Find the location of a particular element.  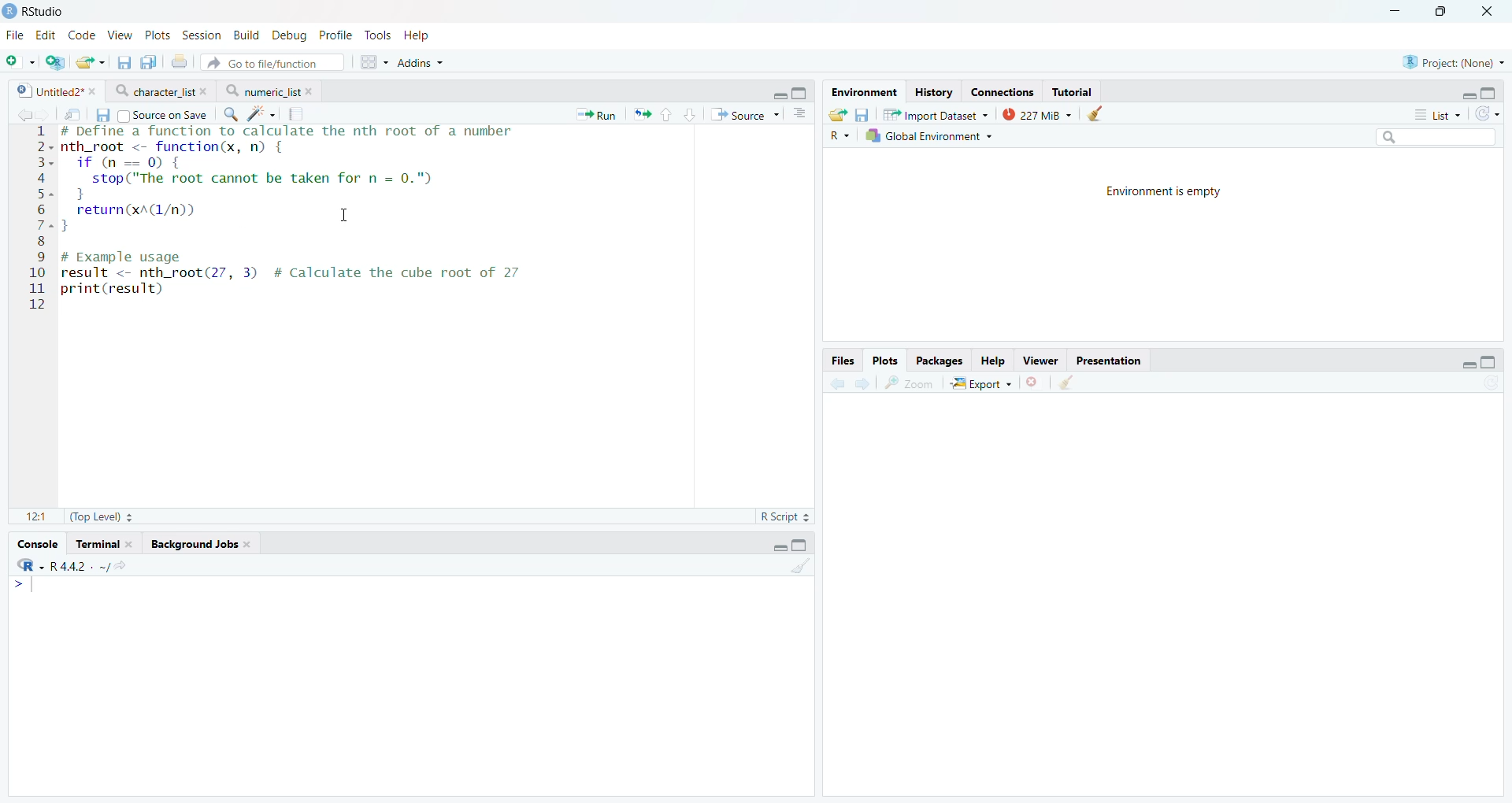

Files is located at coordinates (842, 360).